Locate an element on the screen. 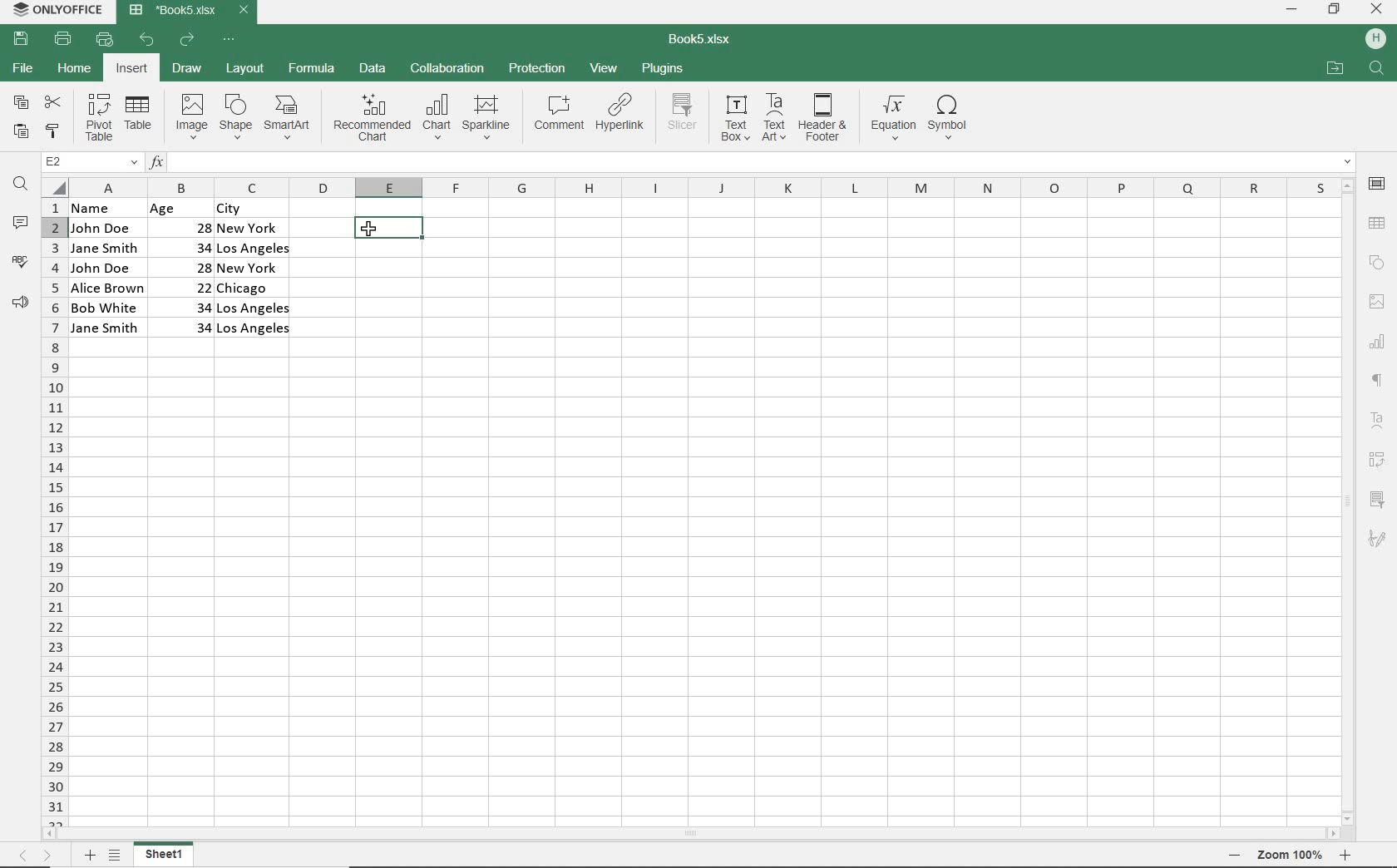 The image size is (1397, 868). PLUGINS is located at coordinates (661, 67).